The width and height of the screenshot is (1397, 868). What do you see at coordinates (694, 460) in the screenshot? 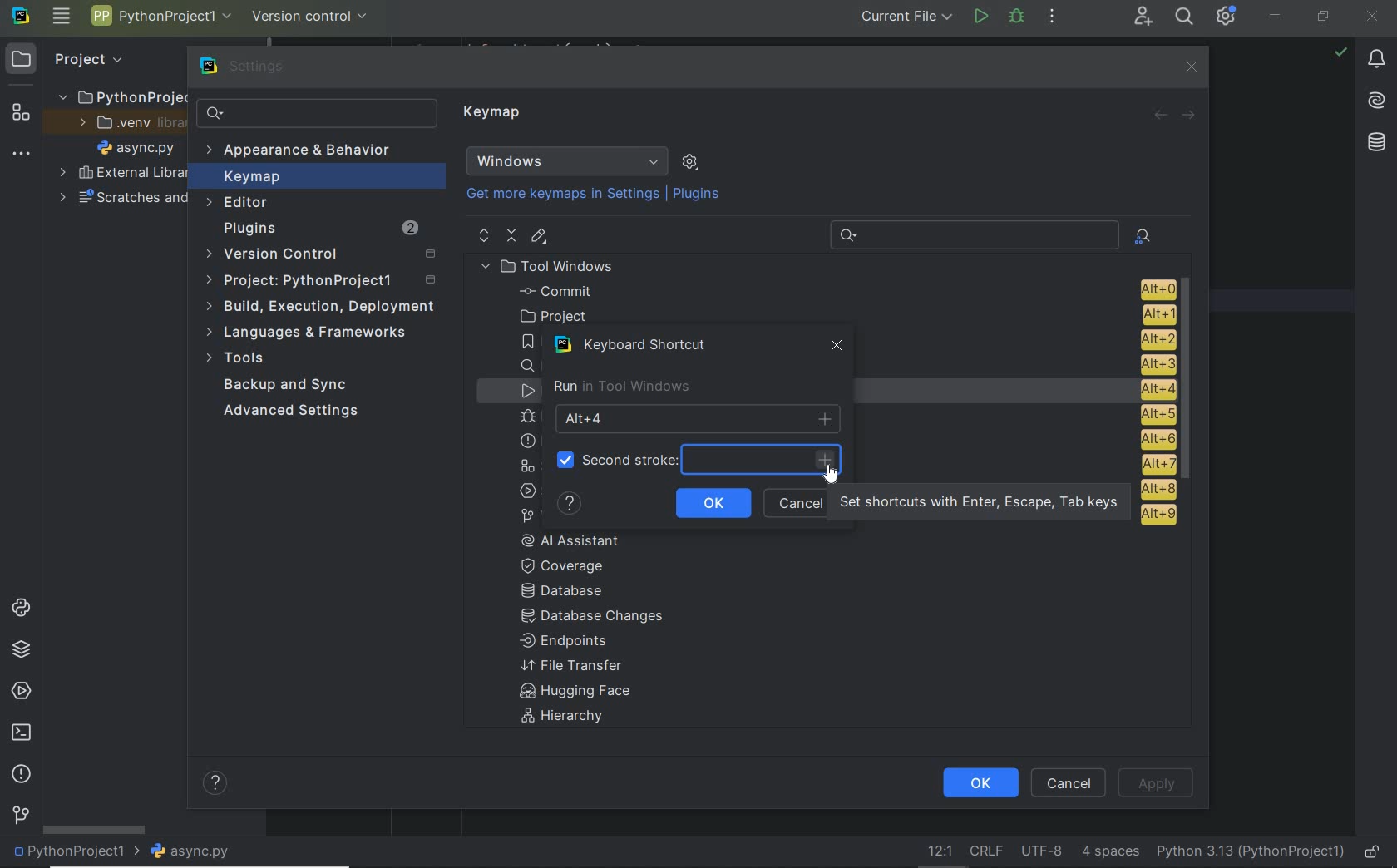
I see `second stroke selected` at bounding box center [694, 460].